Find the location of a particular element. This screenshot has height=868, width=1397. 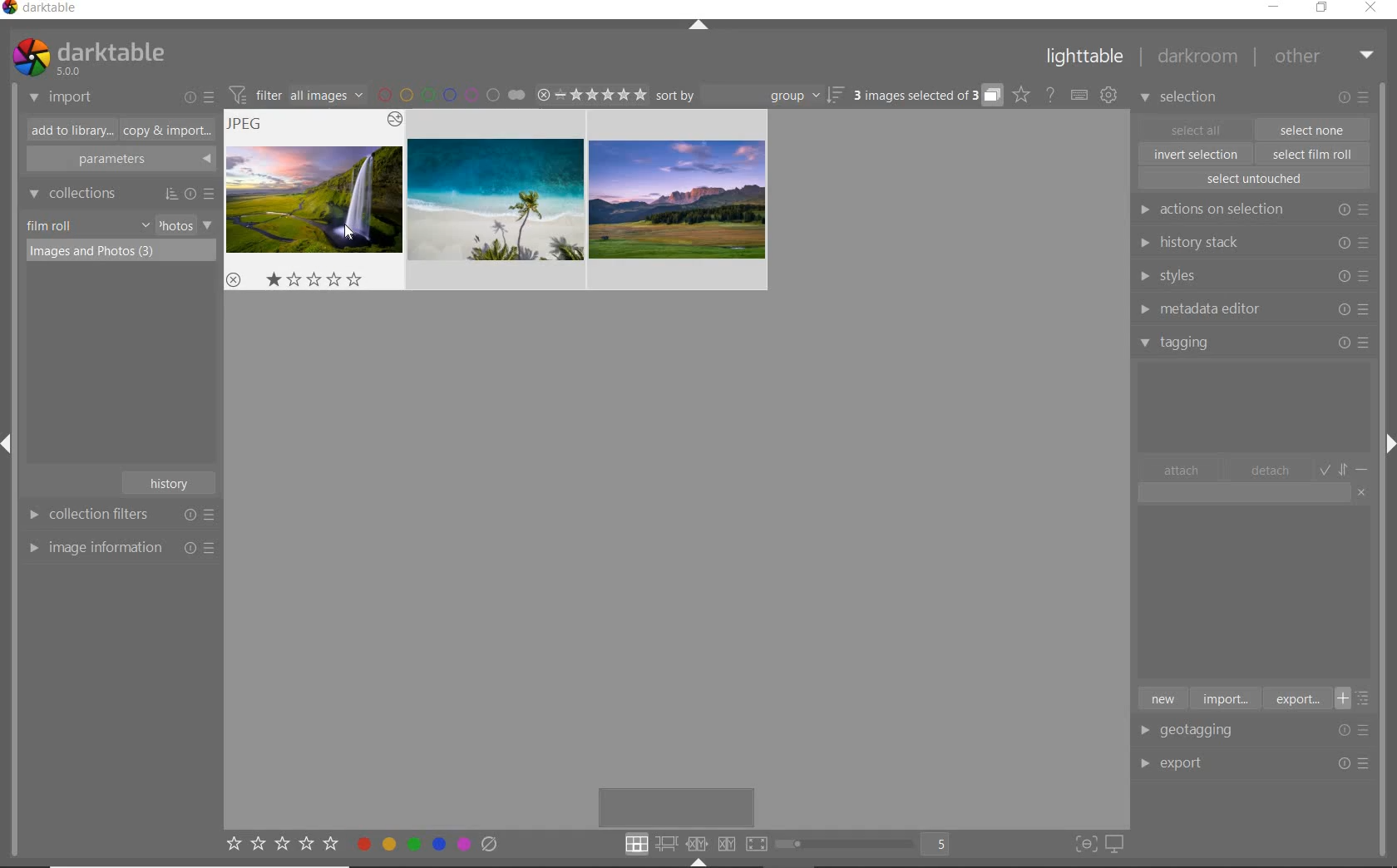

collections is located at coordinates (119, 194).